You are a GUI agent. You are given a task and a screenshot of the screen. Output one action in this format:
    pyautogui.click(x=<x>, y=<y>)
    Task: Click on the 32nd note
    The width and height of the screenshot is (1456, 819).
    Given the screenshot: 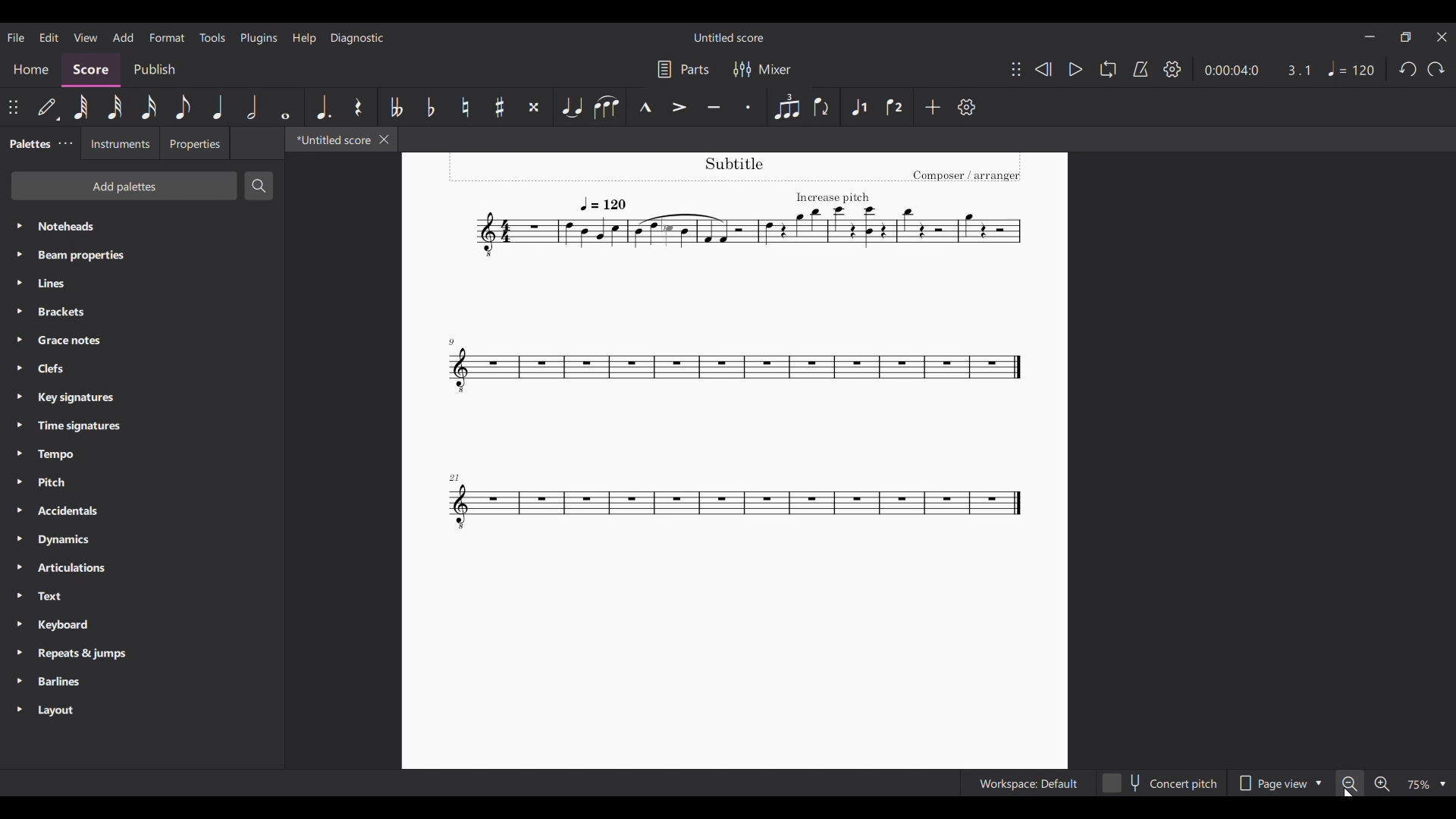 What is the action you would take?
    pyautogui.click(x=115, y=108)
    